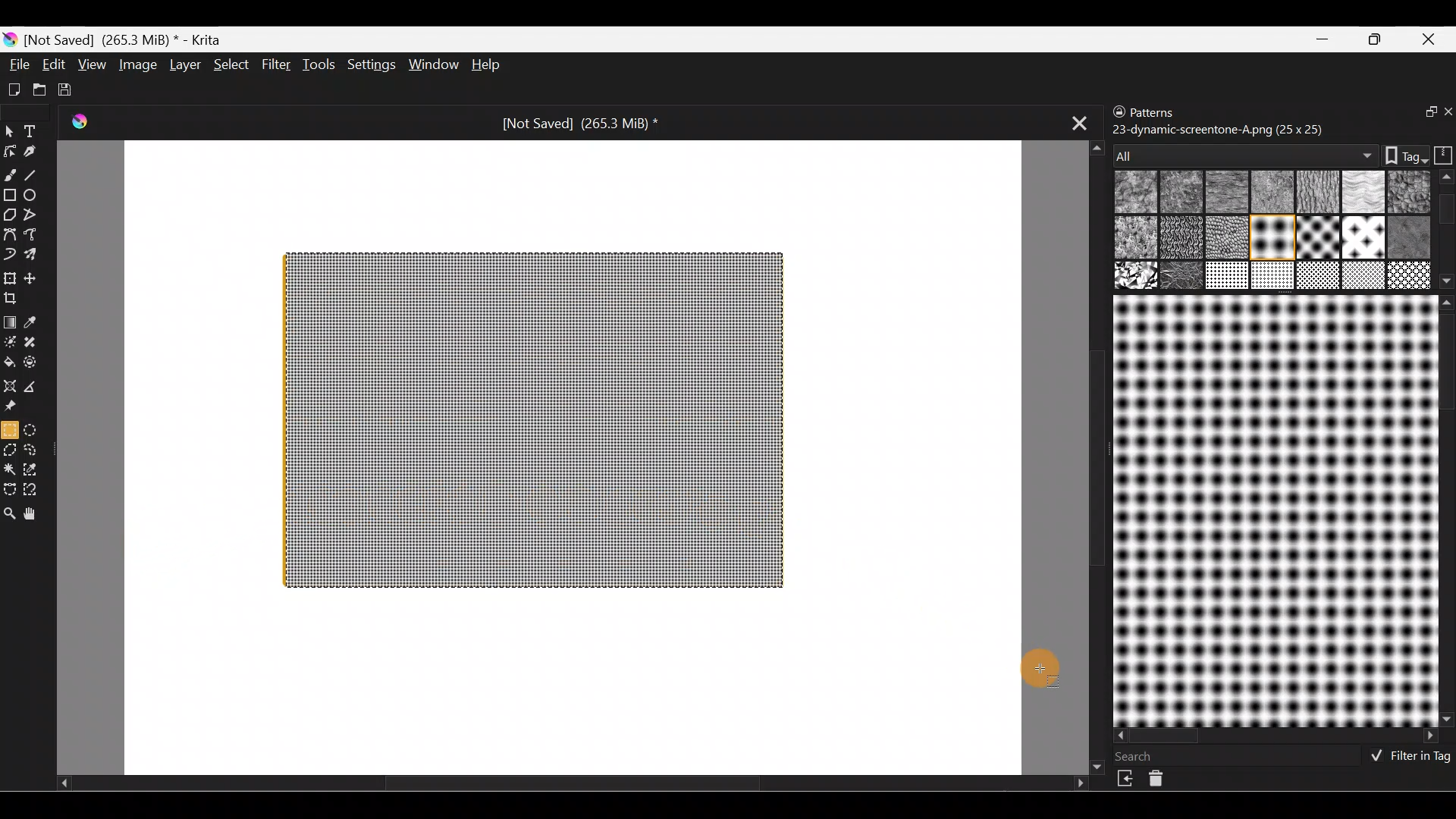  Describe the element at coordinates (33, 130) in the screenshot. I see `Text tool` at that location.